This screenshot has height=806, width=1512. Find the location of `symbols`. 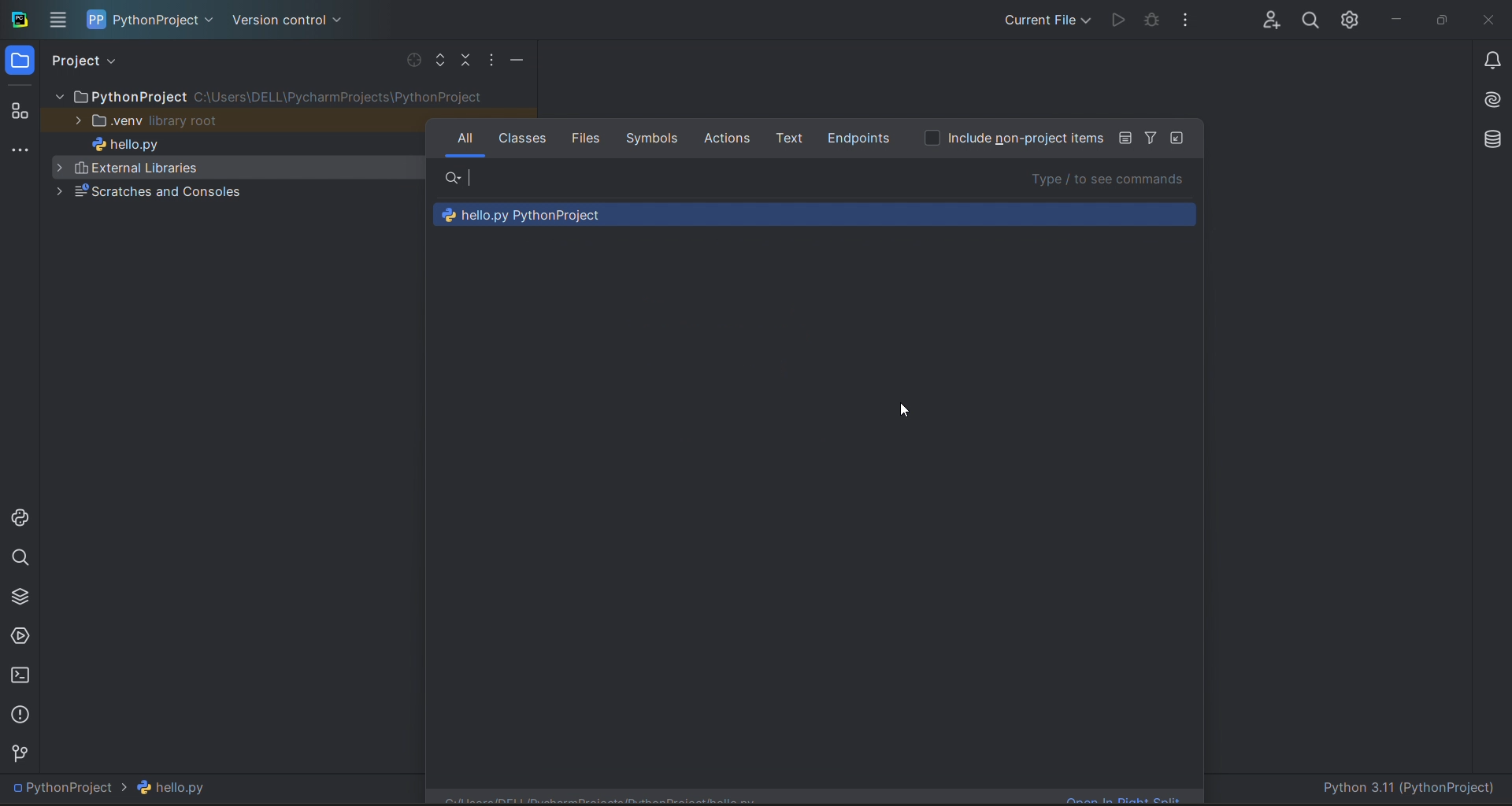

symbols is located at coordinates (651, 139).